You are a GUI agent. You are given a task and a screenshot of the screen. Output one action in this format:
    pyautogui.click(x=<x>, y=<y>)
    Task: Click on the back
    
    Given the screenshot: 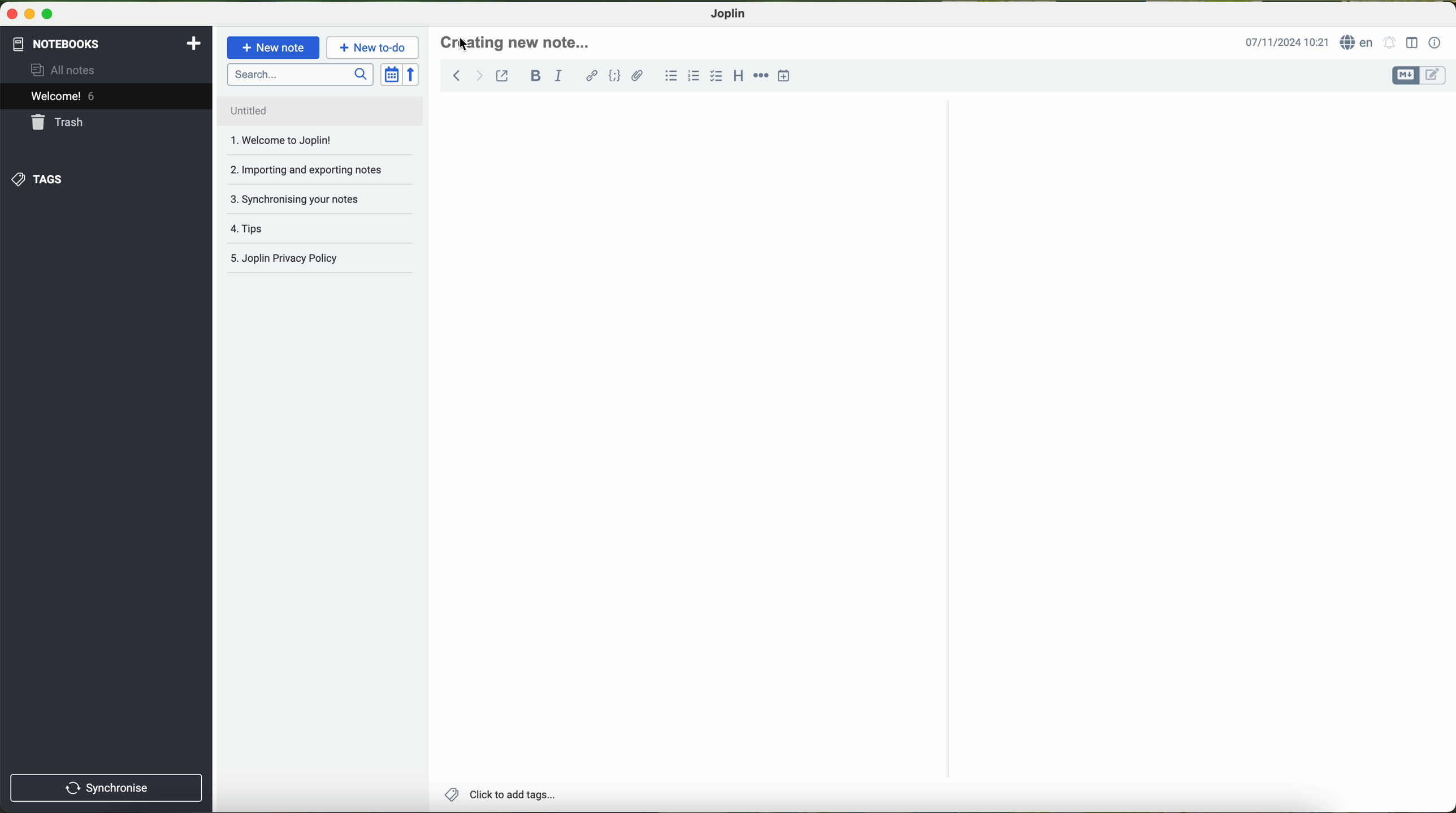 What is the action you would take?
    pyautogui.click(x=453, y=74)
    